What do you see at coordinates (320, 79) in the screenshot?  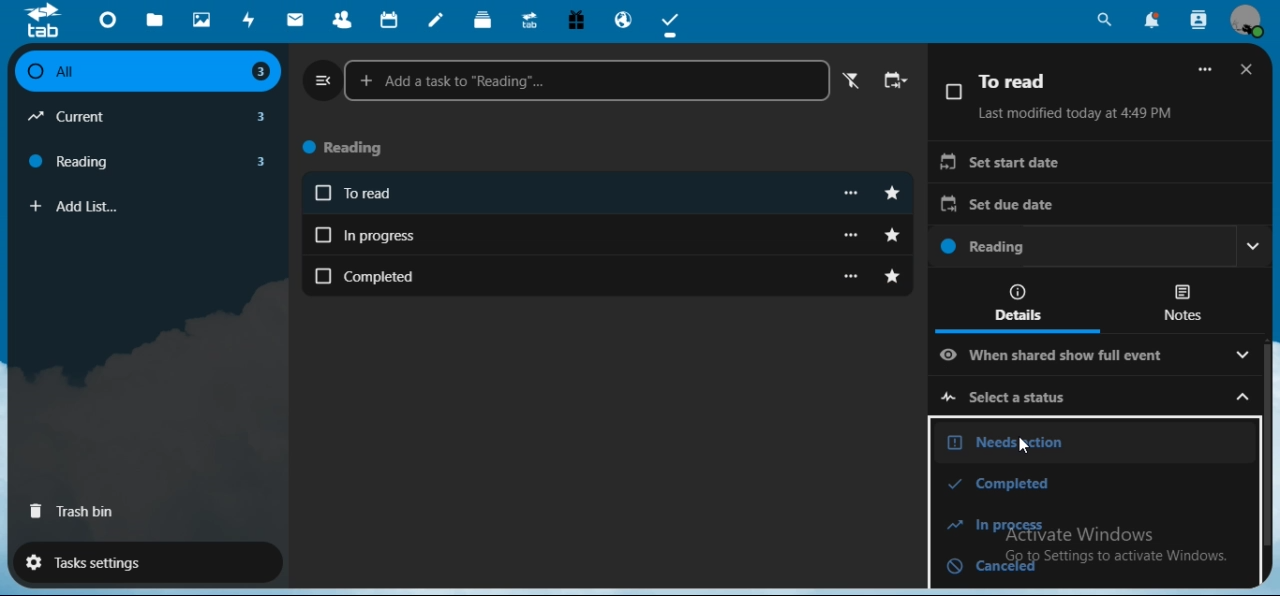 I see `close navigation` at bounding box center [320, 79].